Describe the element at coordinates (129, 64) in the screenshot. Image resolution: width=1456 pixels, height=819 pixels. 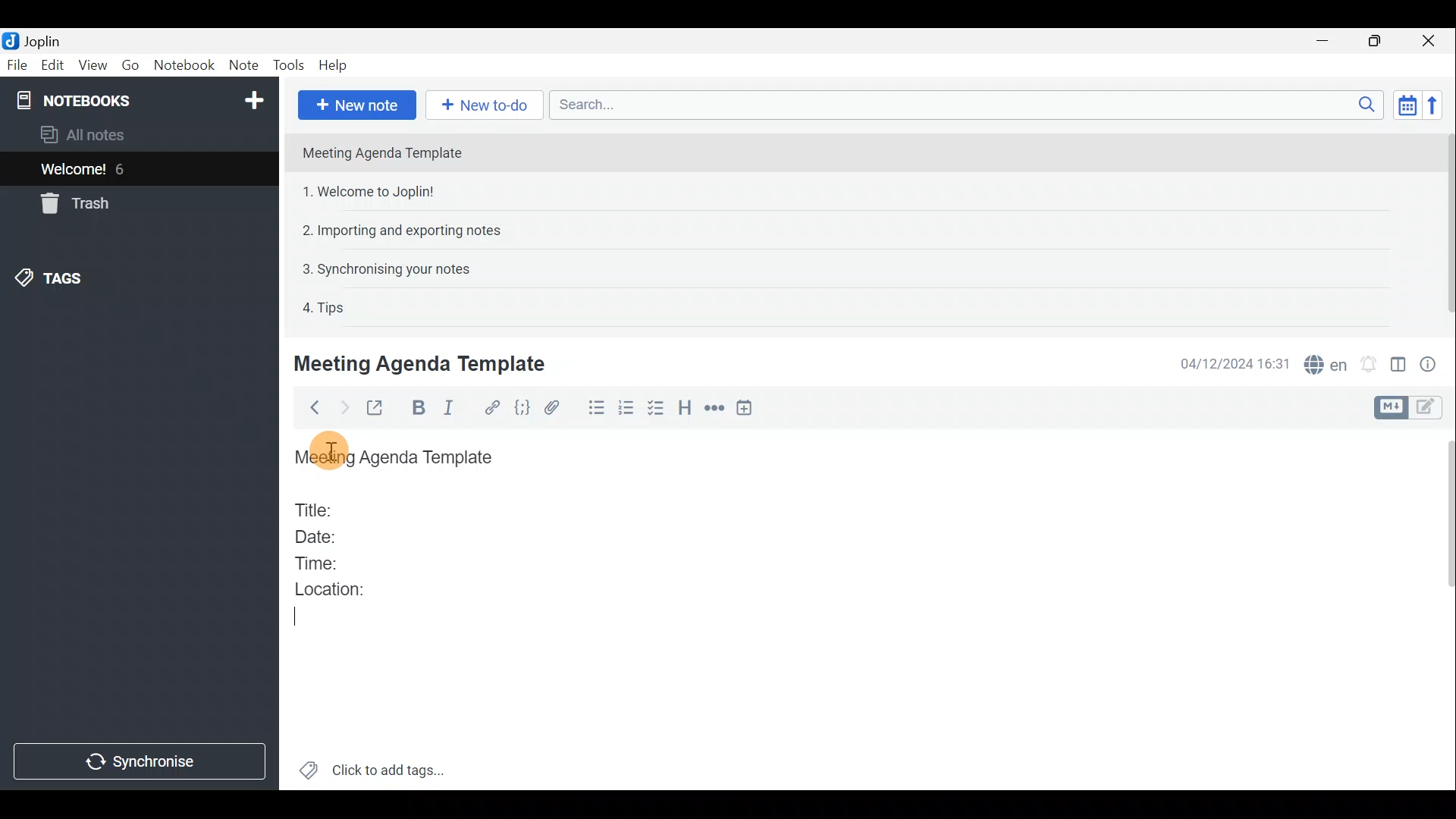
I see `Go` at that location.